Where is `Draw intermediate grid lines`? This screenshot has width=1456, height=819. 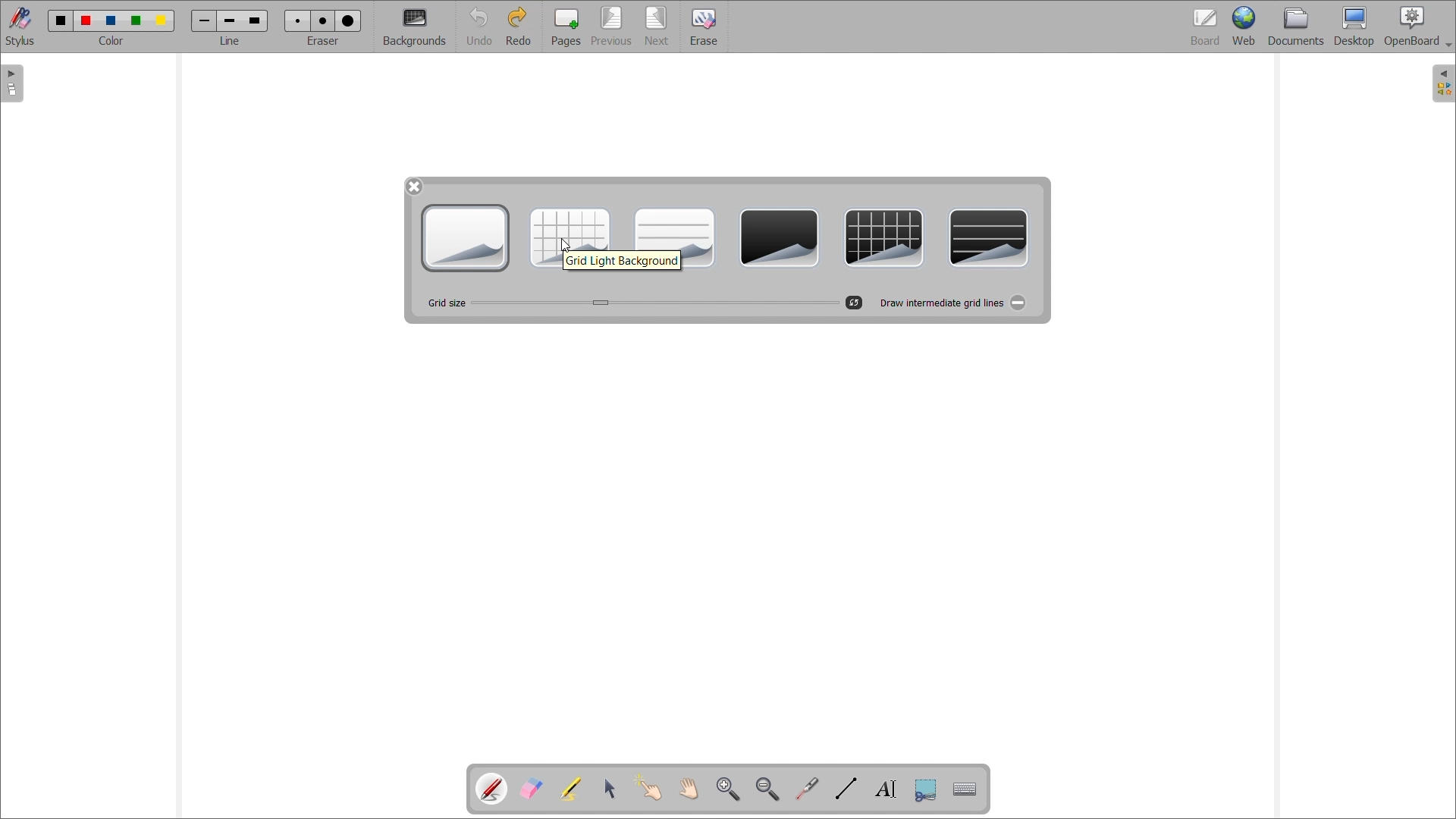
Draw intermediate grid lines is located at coordinates (1018, 303).